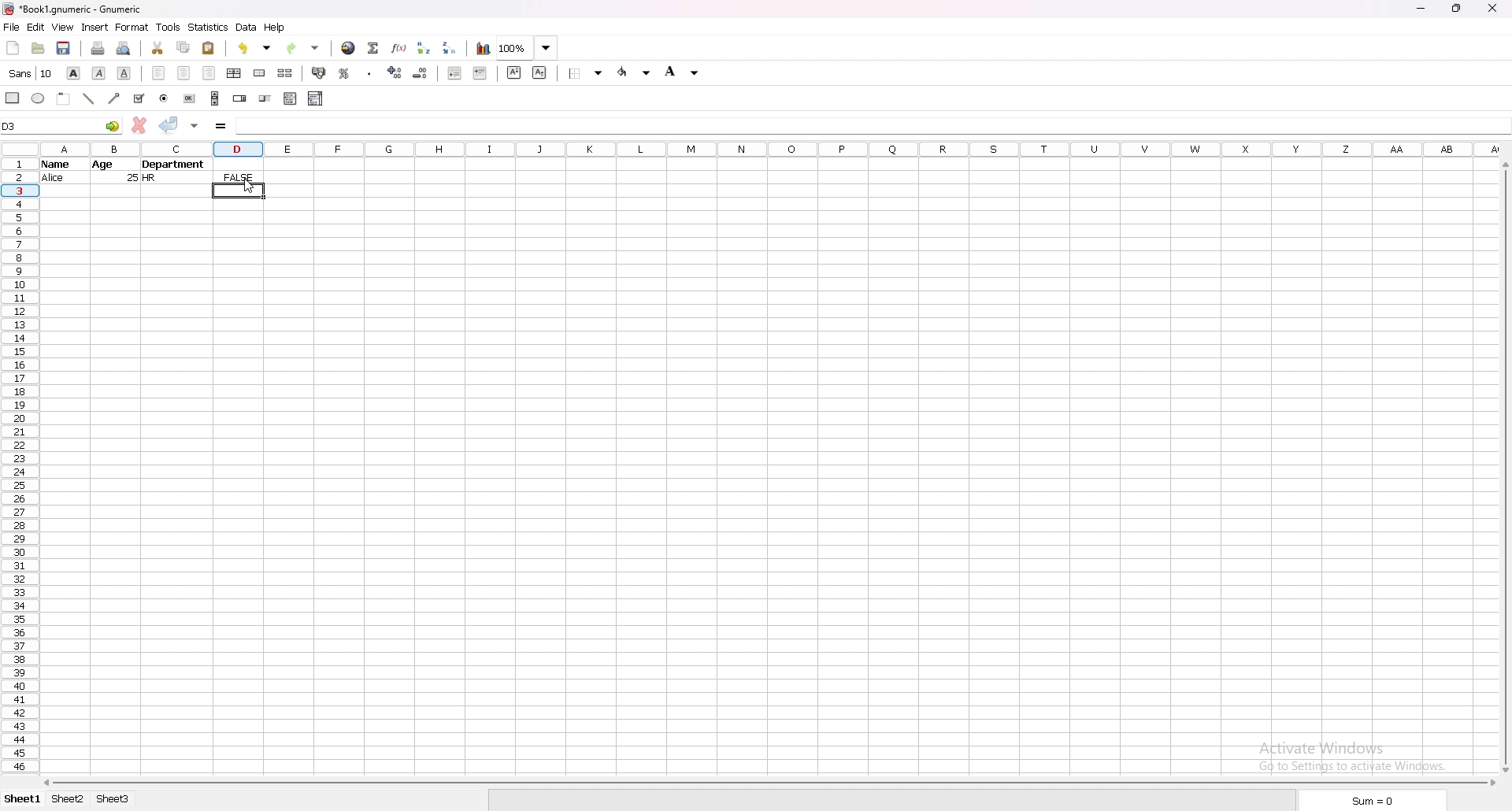 This screenshot has height=811, width=1512. Describe the element at coordinates (260, 74) in the screenshot. I see `merge cells` at that location.